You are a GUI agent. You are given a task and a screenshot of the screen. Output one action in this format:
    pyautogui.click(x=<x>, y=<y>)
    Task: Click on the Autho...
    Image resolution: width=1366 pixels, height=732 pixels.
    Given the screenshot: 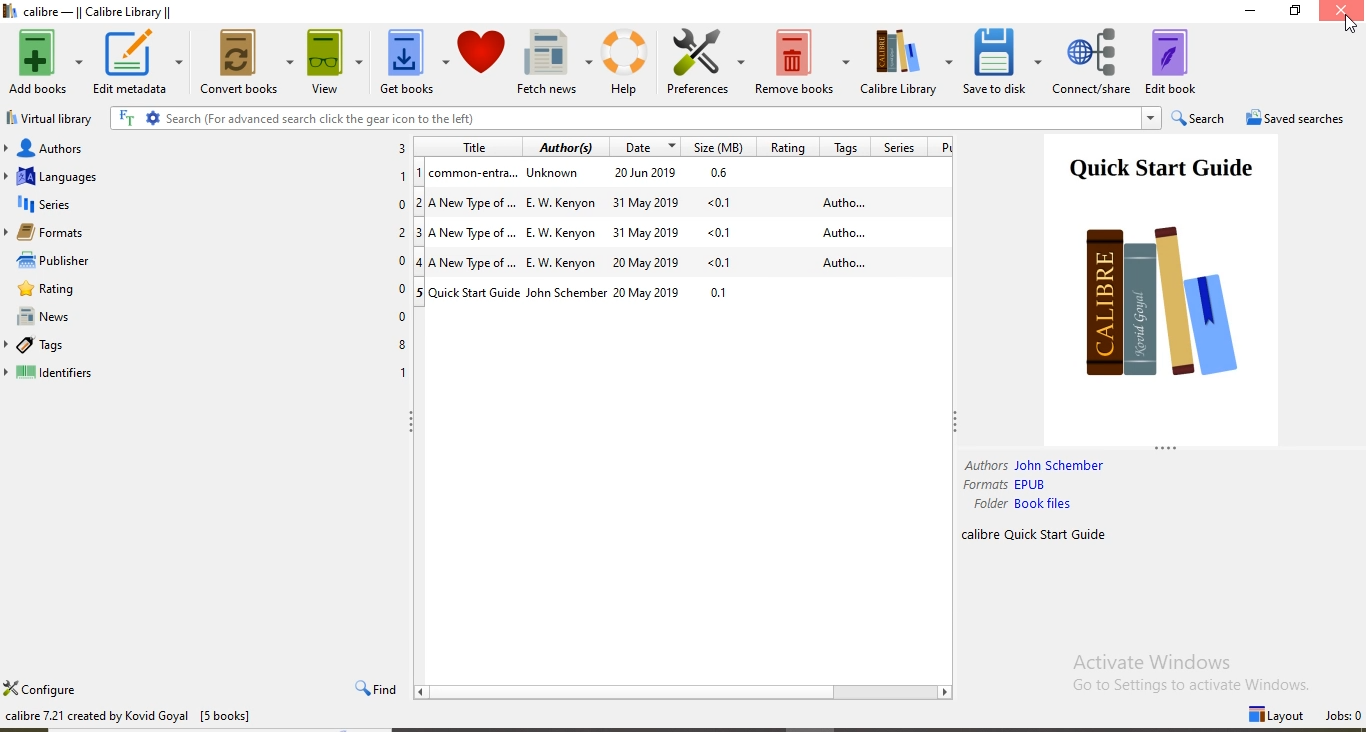 What is the action you would take?
    pyautogui.click(x=840, y=202)
    